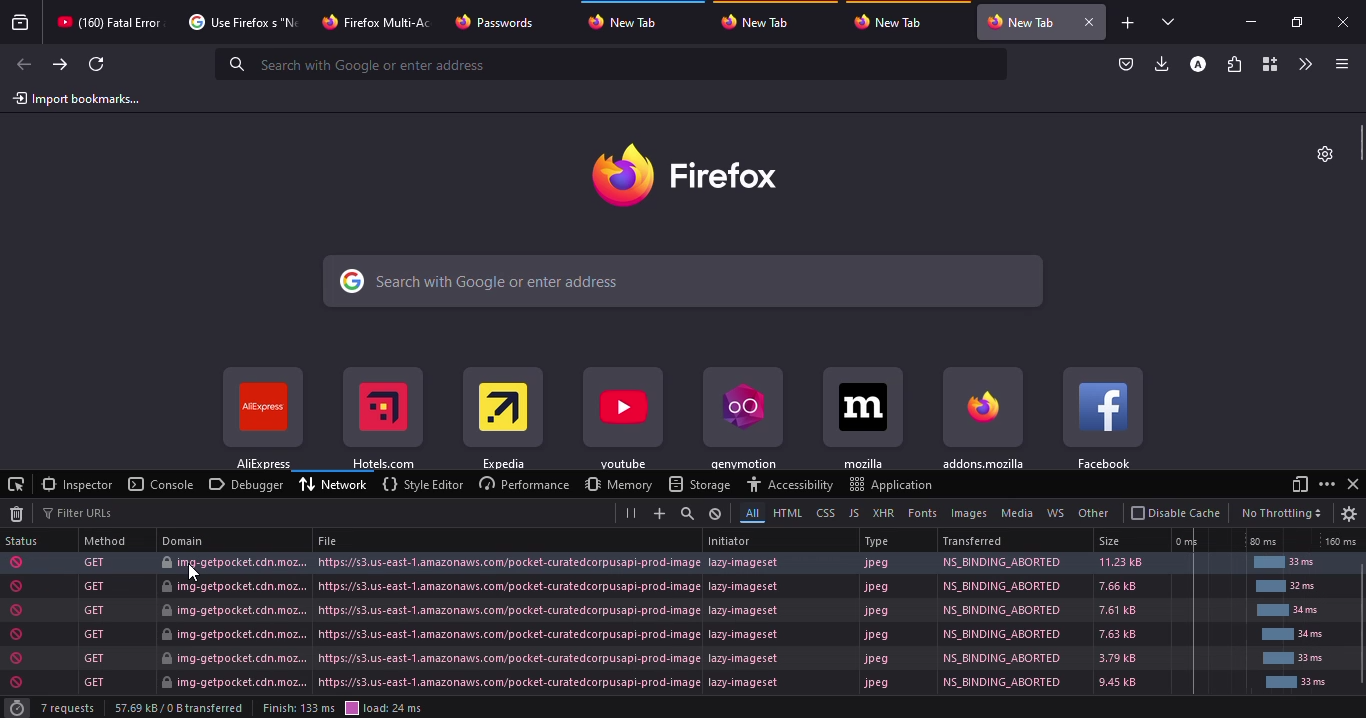 This screenshot has width=1366, height=718. Describe the element at coordinates (503, 420) in the screenshot. I see `shortcuts` at that location.